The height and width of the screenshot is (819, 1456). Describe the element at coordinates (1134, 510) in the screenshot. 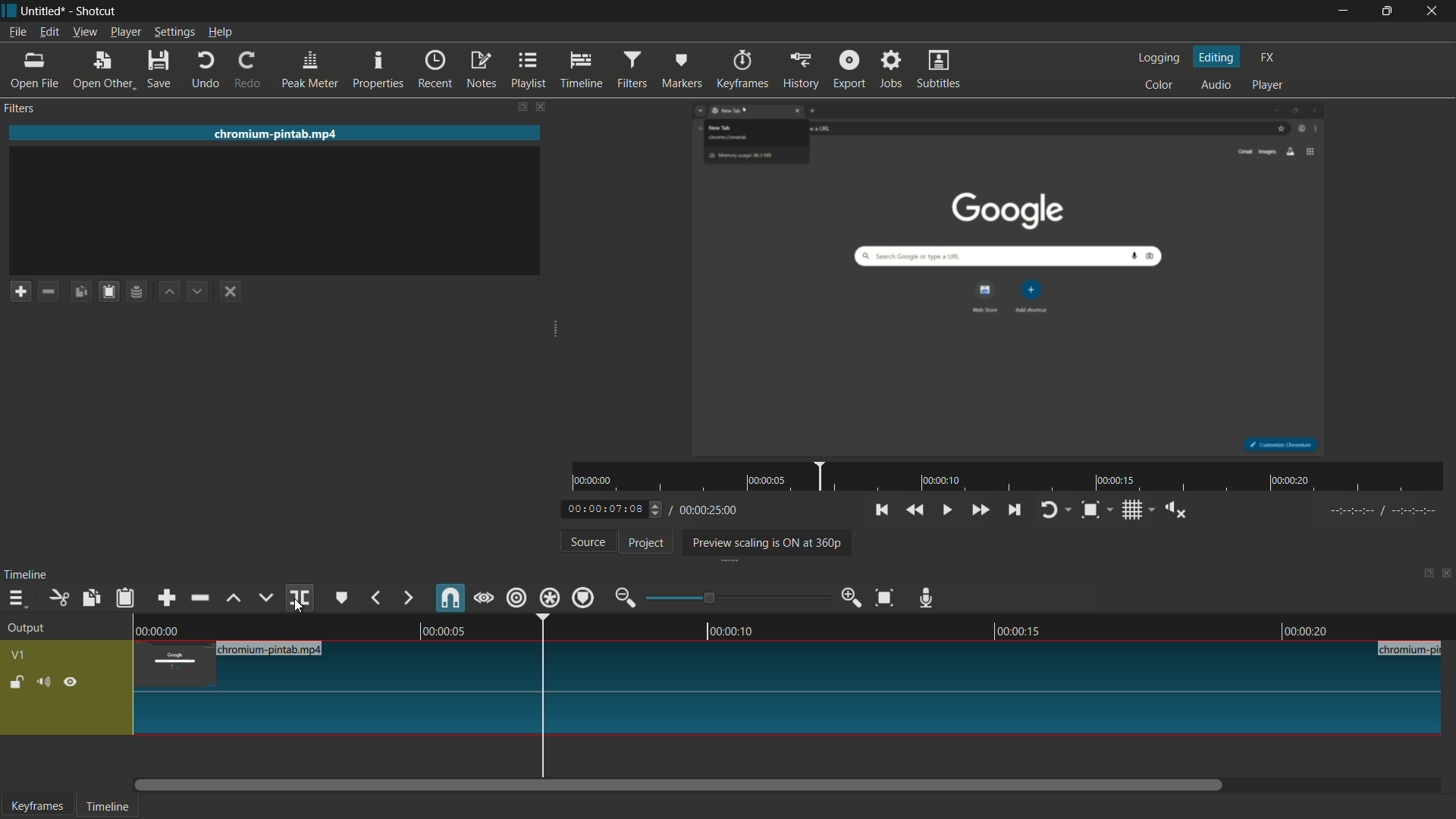

I see `toggle grid` at that location.